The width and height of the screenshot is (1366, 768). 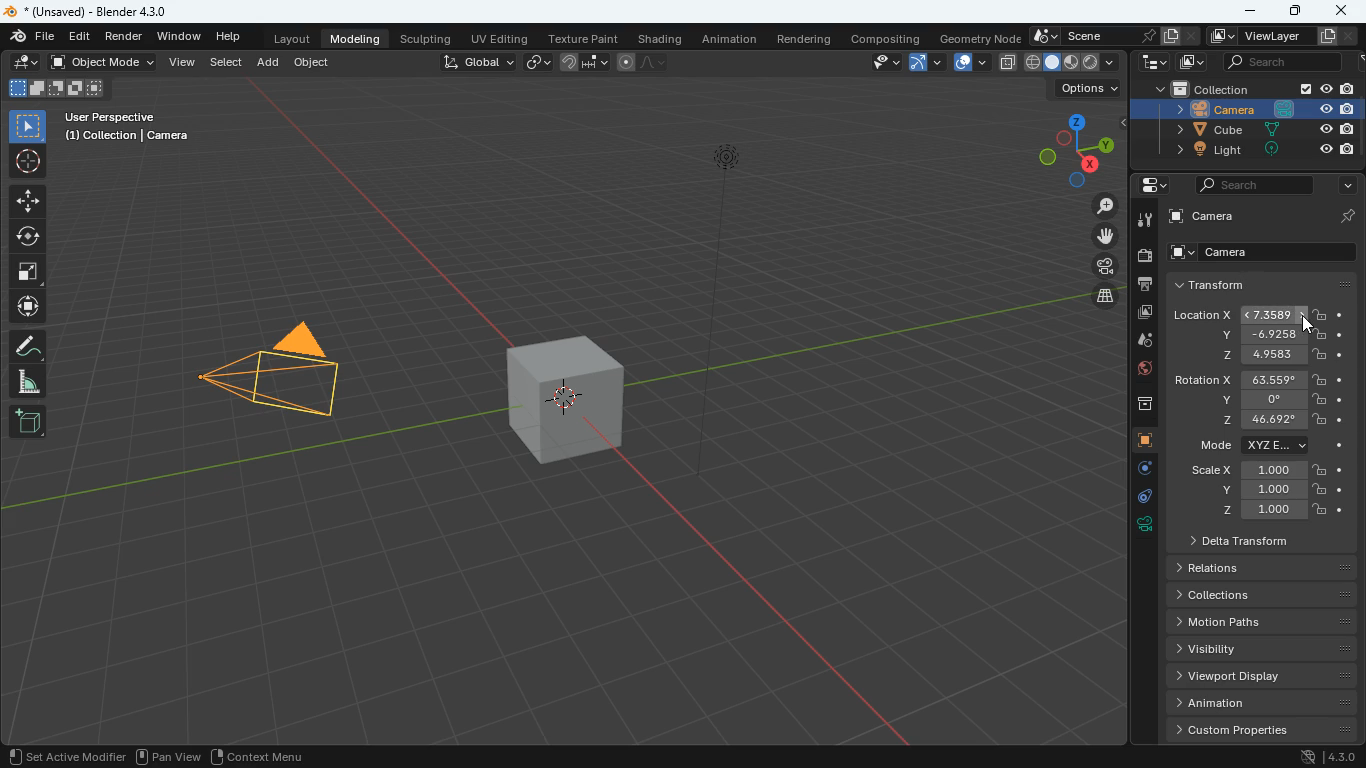 What do you see at coordinates (1293, 10) in the screenshot?
I see `maximize` at bounding box center [1293, 10].